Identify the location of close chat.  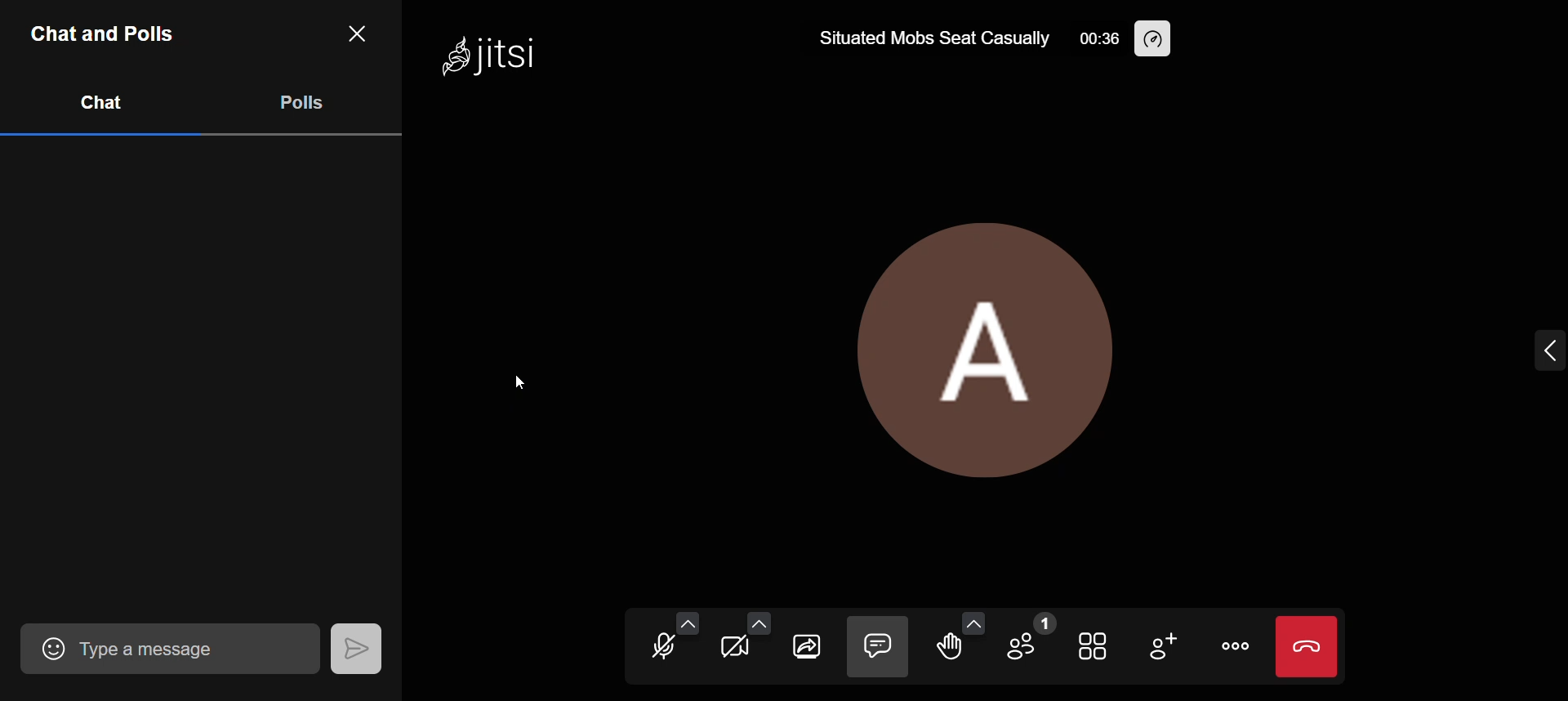
(877, 646).